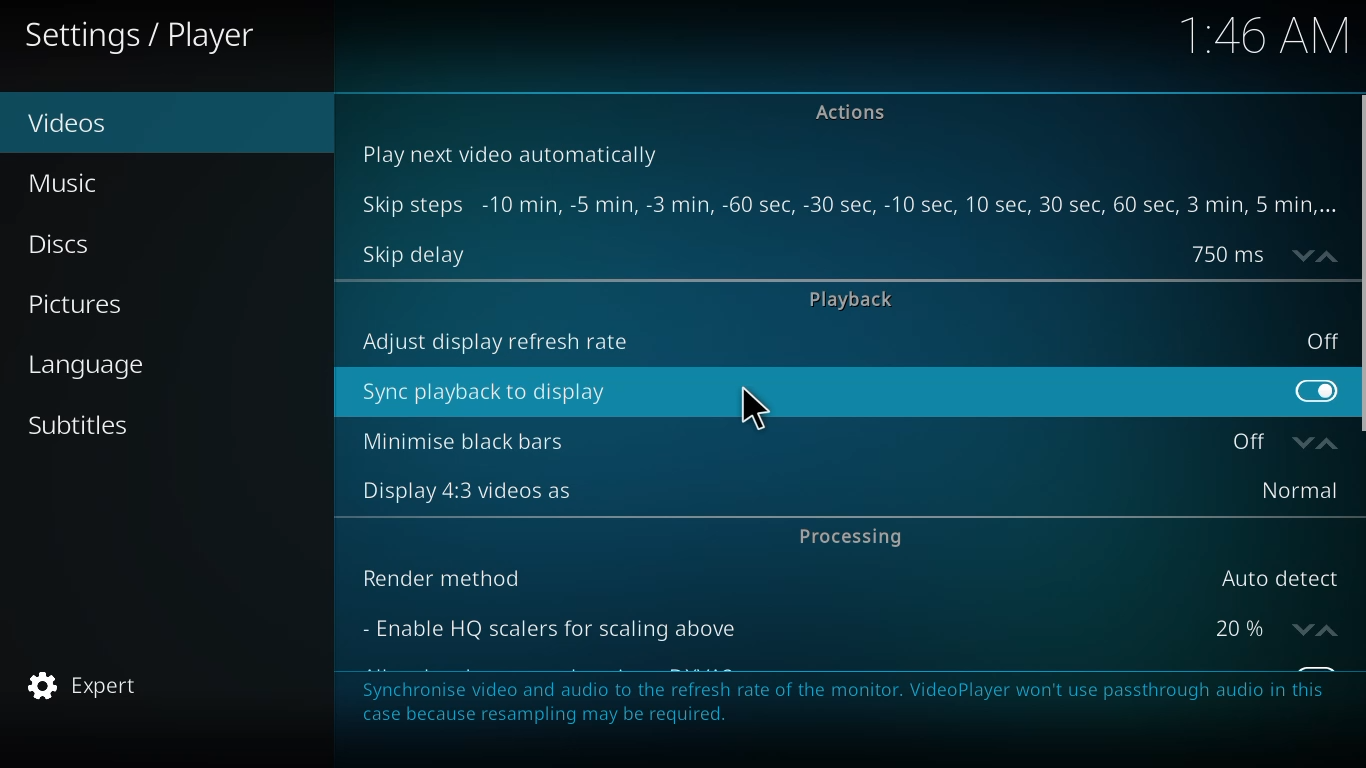  I want to click on adjust display refresh rate, so click(489, 341).